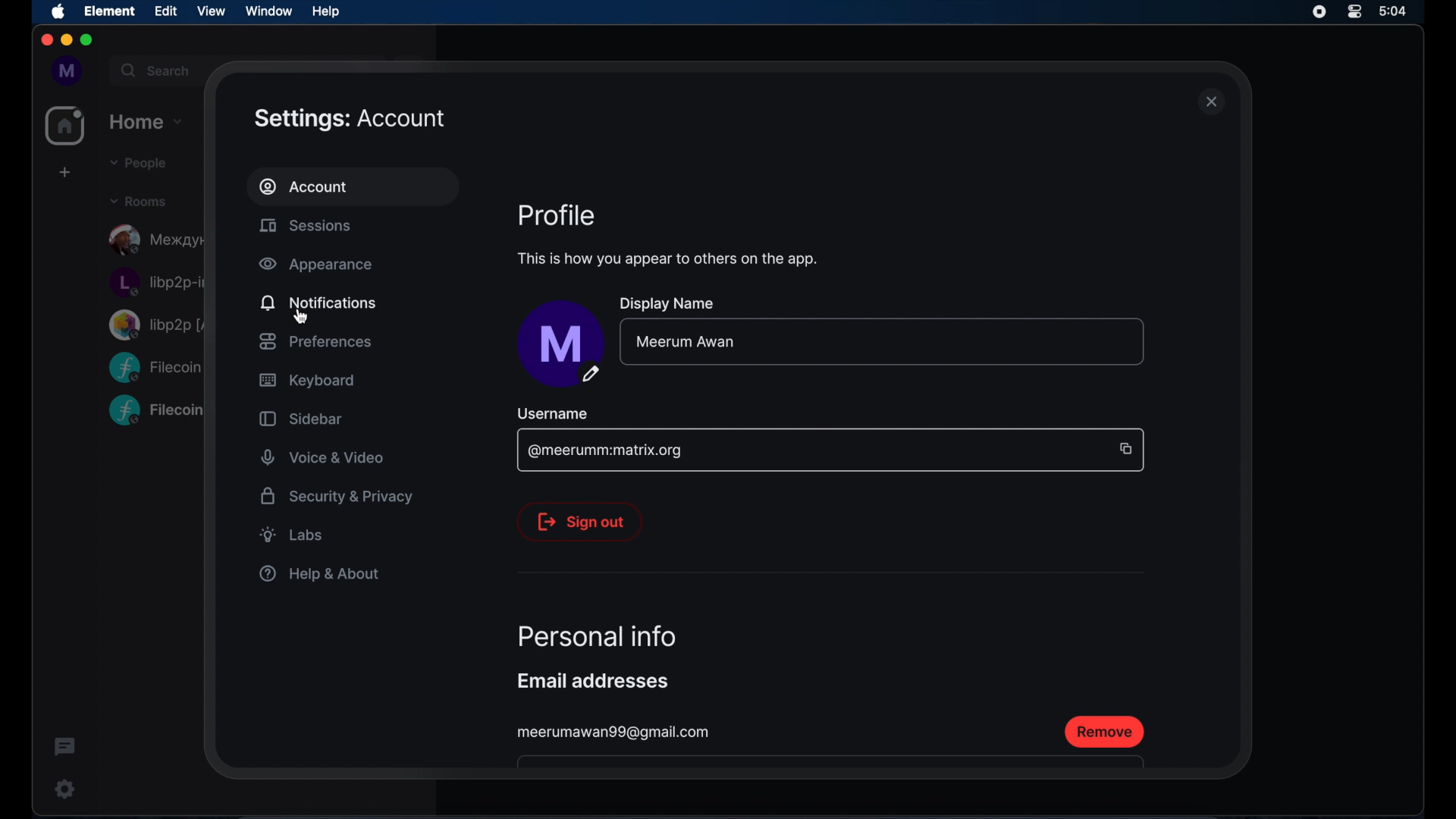  I want to click on settings: account, so click(350, 119).